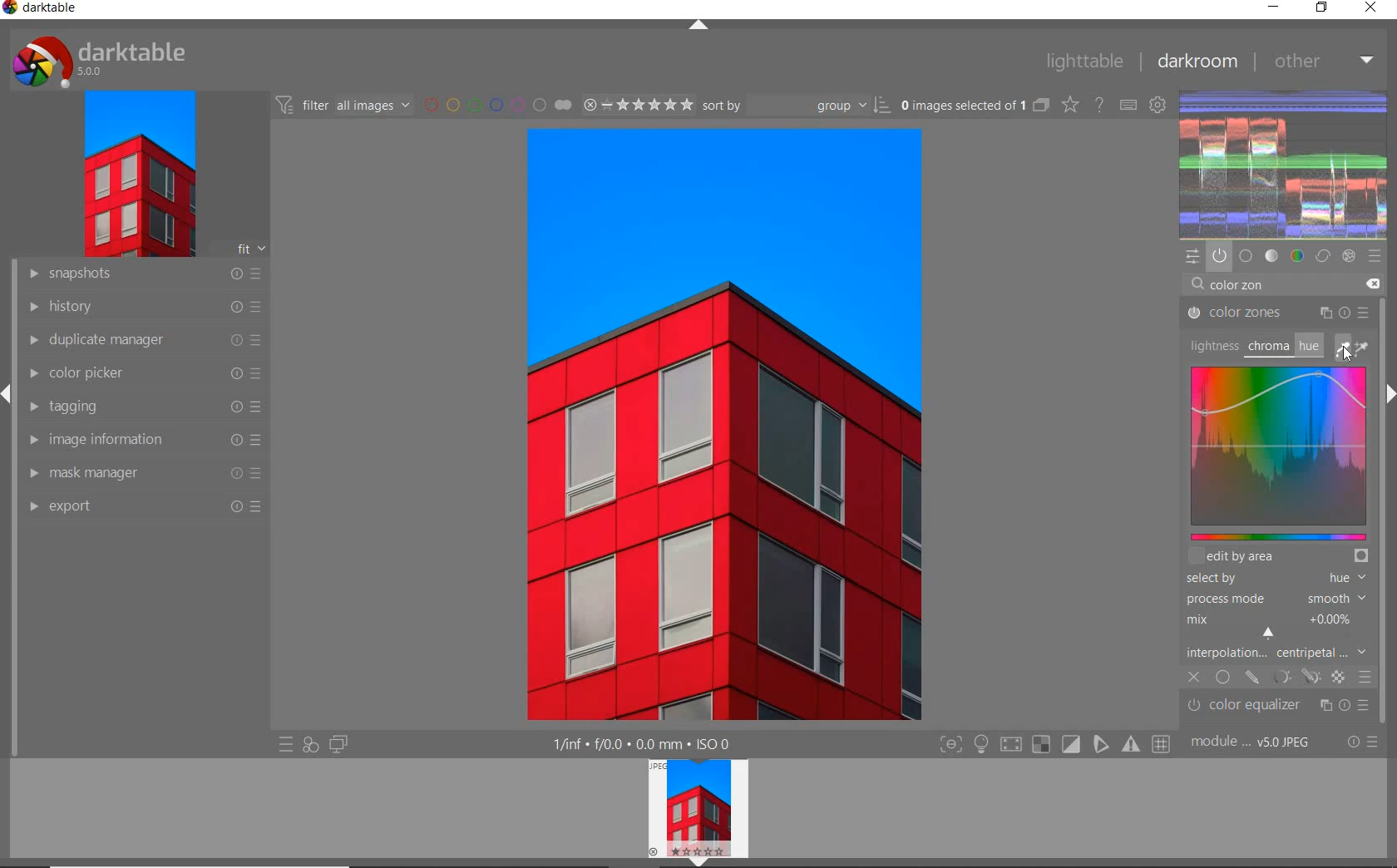 This screenshot has width=1397, height=868. What do you see at coordinates (1162, 742) in the screenshot?
I see `grid overlay` at bounding box center [1162, 742].